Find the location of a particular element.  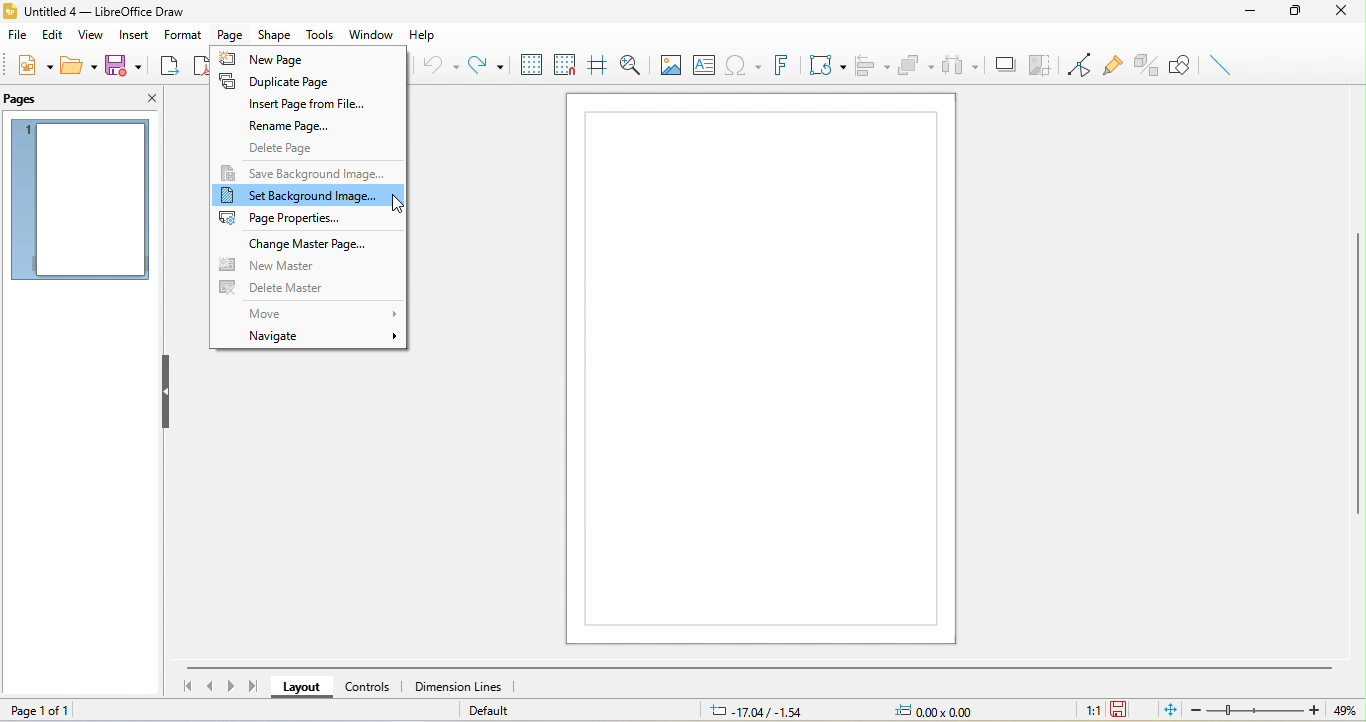

duplicate page is located at coordinates (297, 82).